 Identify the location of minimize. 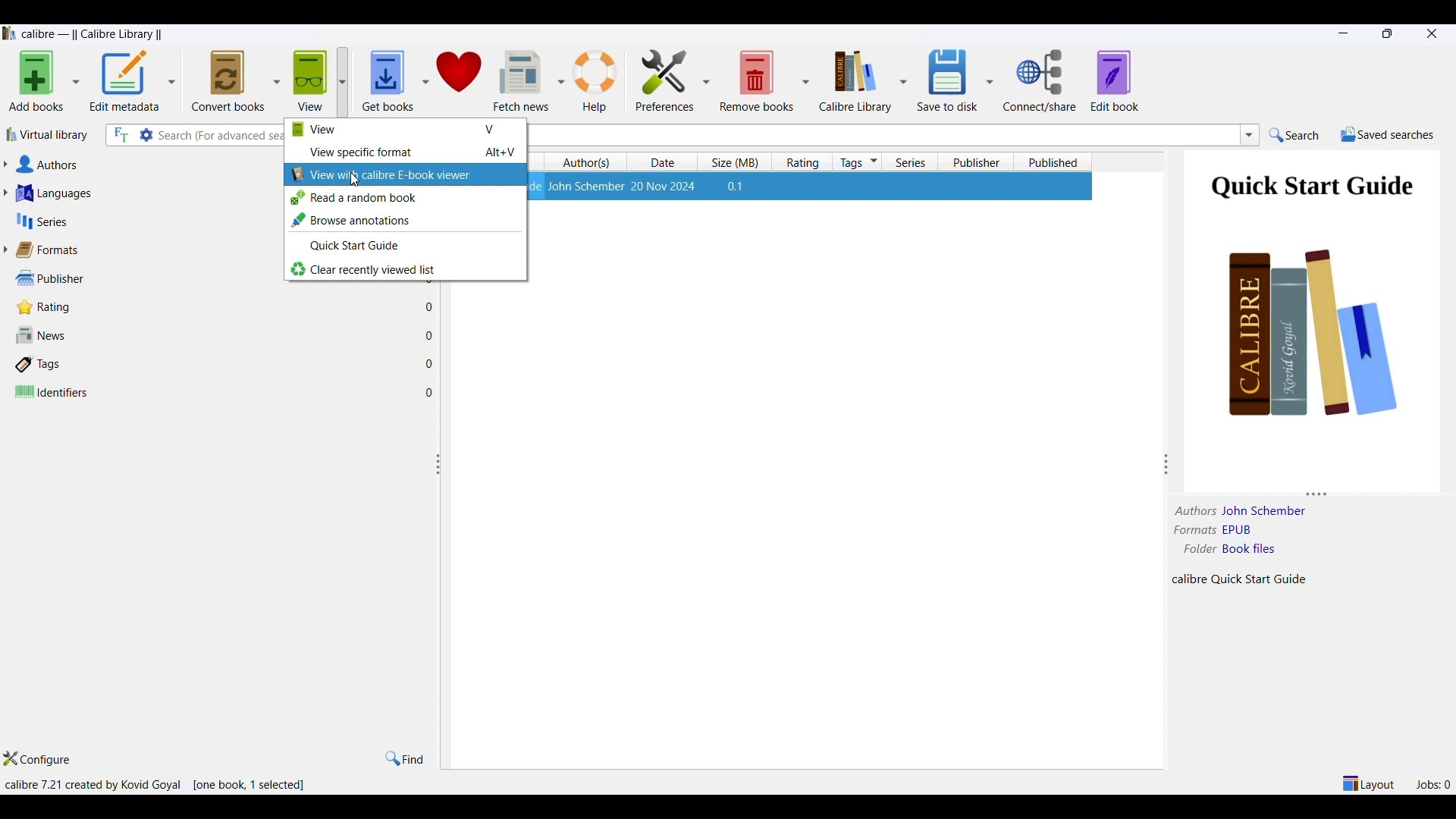
(1341, 33).